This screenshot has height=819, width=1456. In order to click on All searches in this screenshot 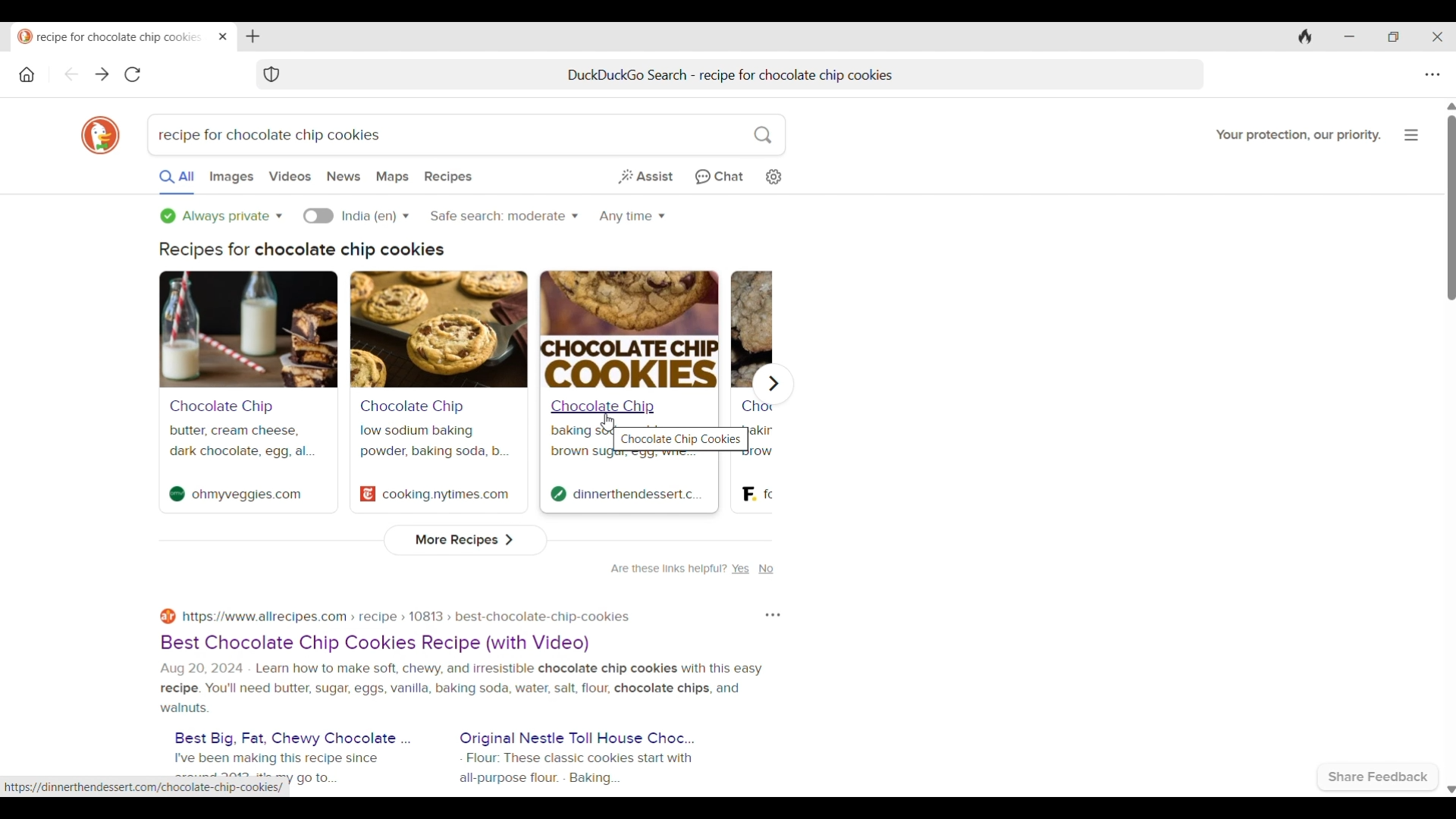, I will do `click(177, 182)`.